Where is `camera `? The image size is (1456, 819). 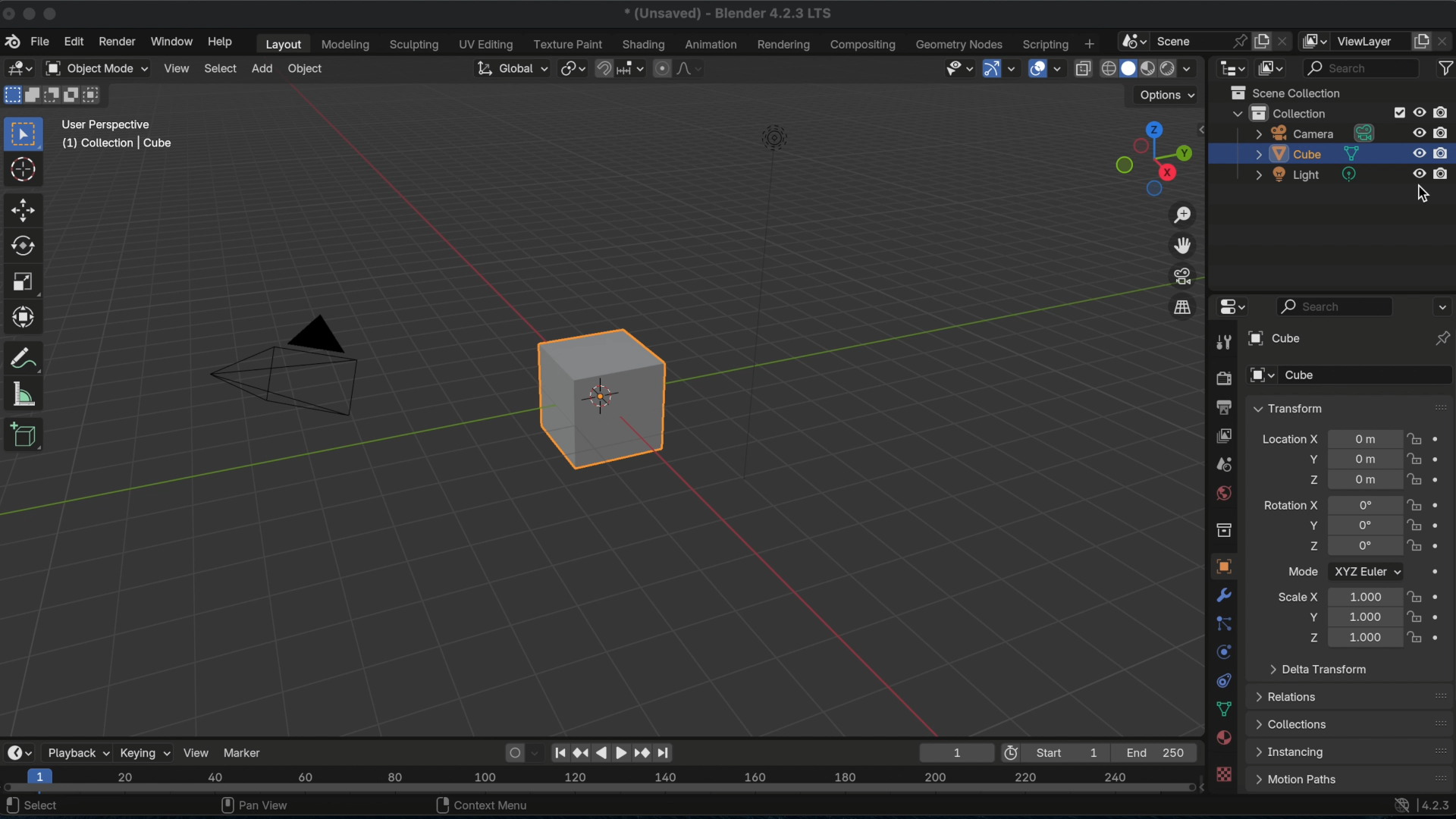 camera  is located at coordinates (1314, 133).